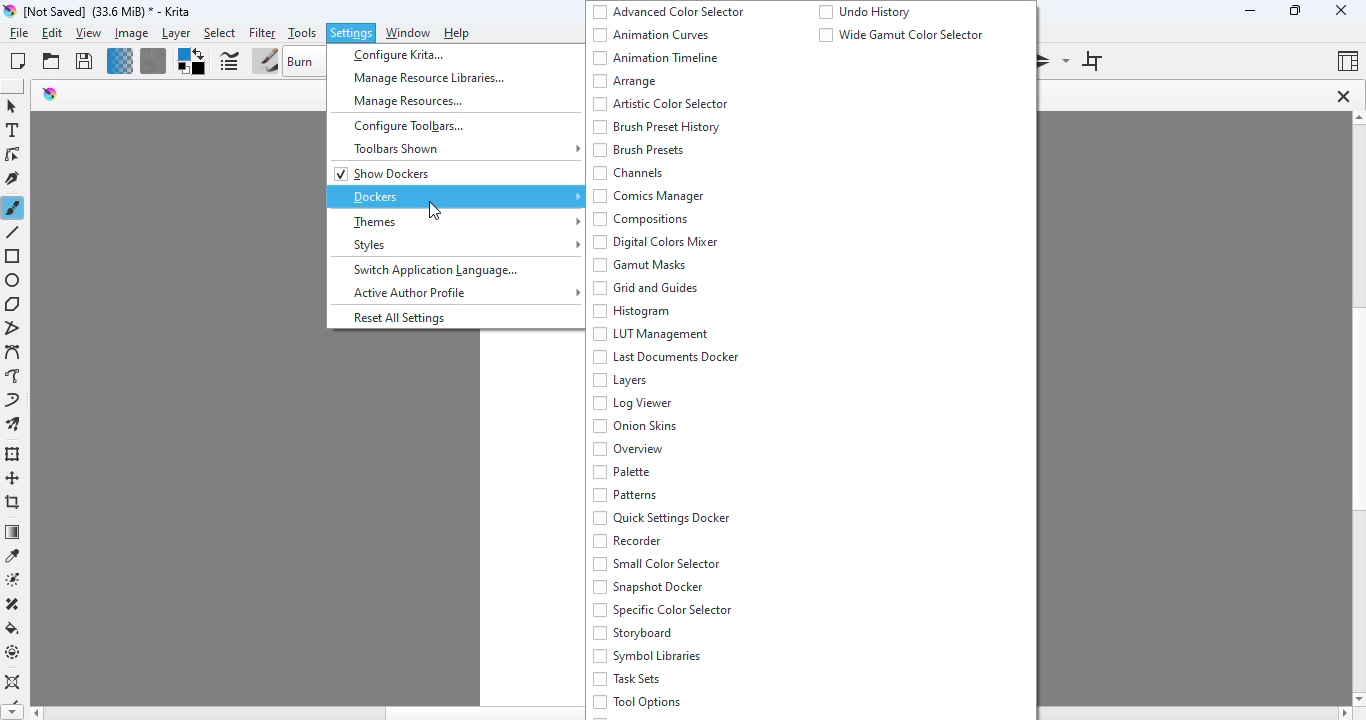 The width and height of the screenshot is (1366, 720). I want to click on styles, so click(463, 244).